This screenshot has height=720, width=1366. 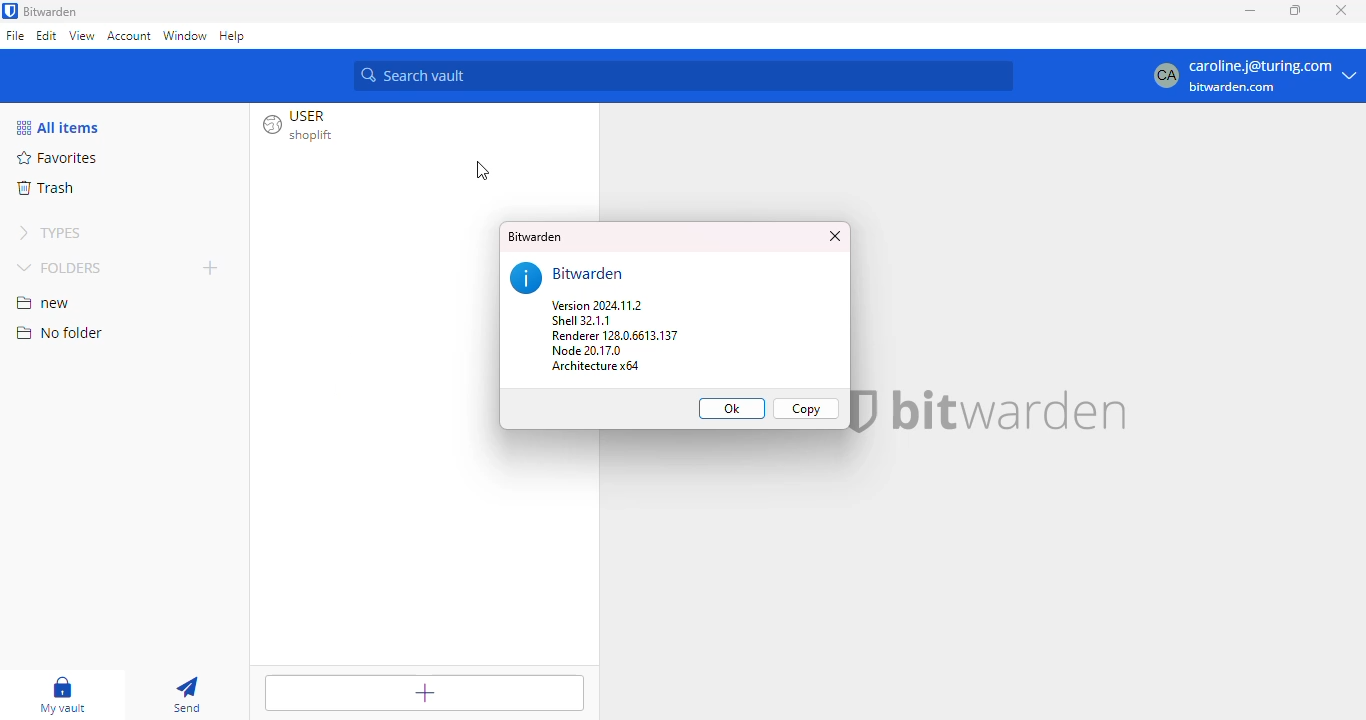 I want to click on Renderer 128.0.6613.137, so click(x=615, y=336).